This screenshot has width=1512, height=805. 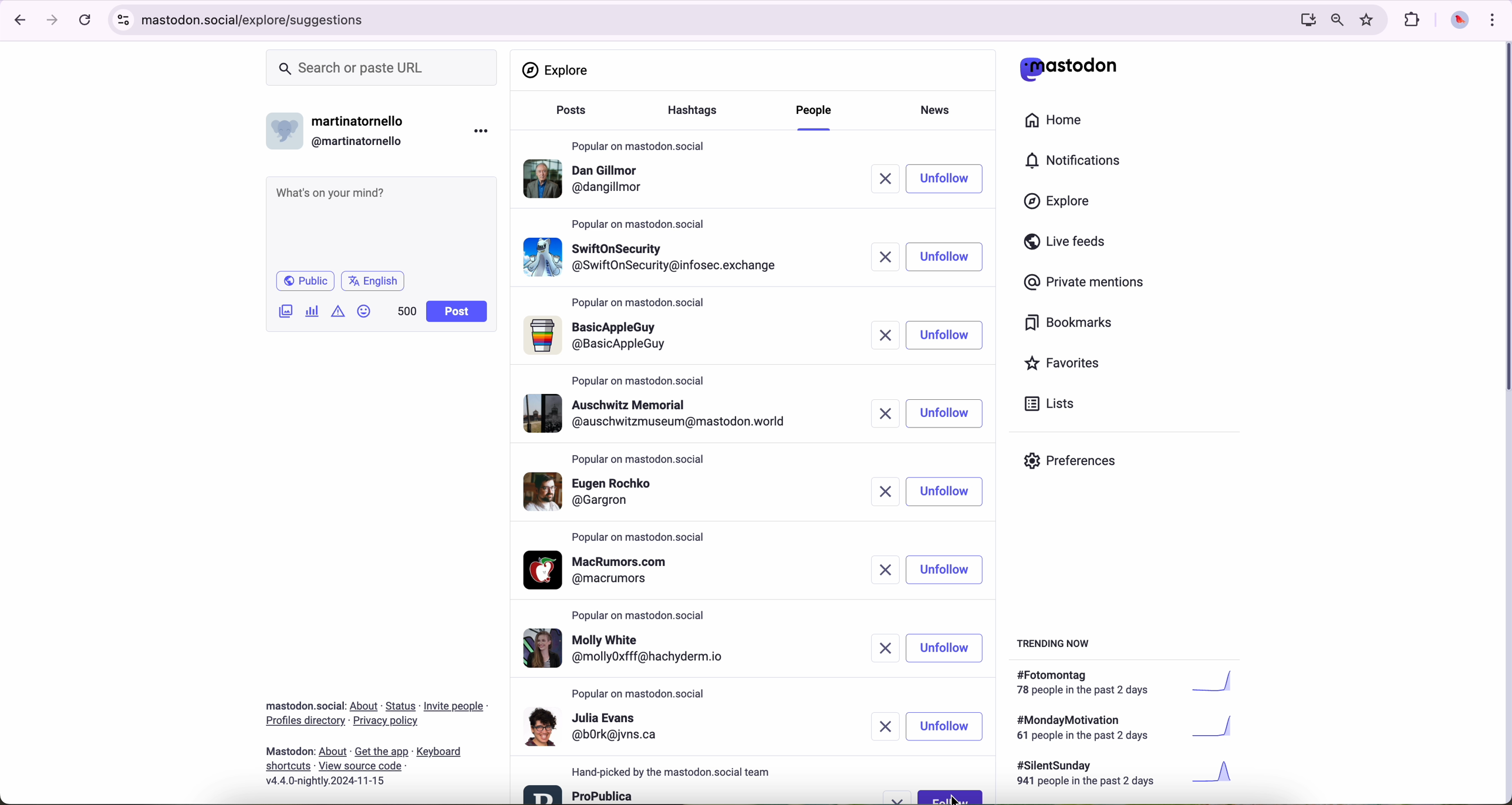 I want to click on click on people, so click(x=816, y=116).